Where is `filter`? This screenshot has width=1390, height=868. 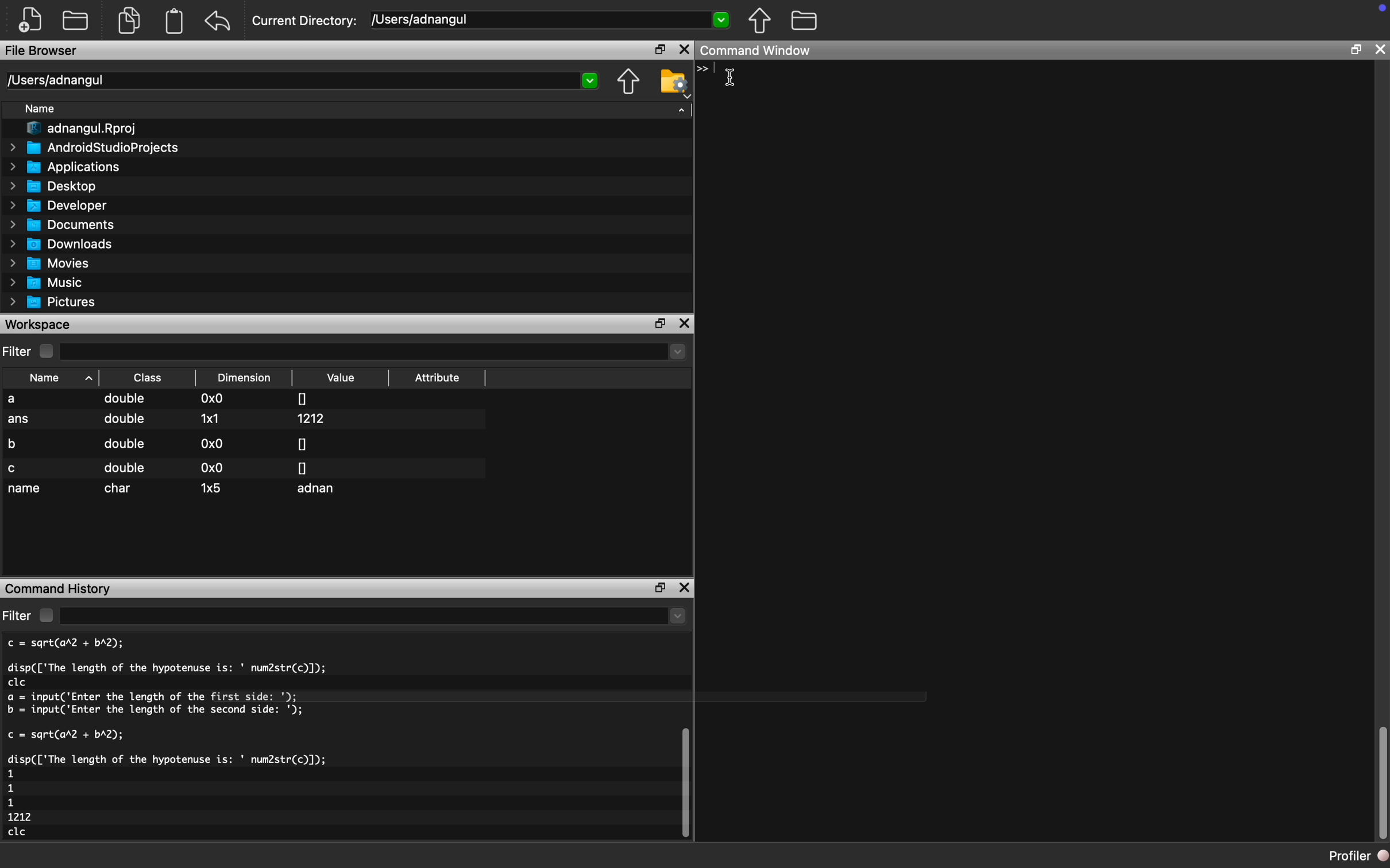
filter is located at coordinates (17, 615).